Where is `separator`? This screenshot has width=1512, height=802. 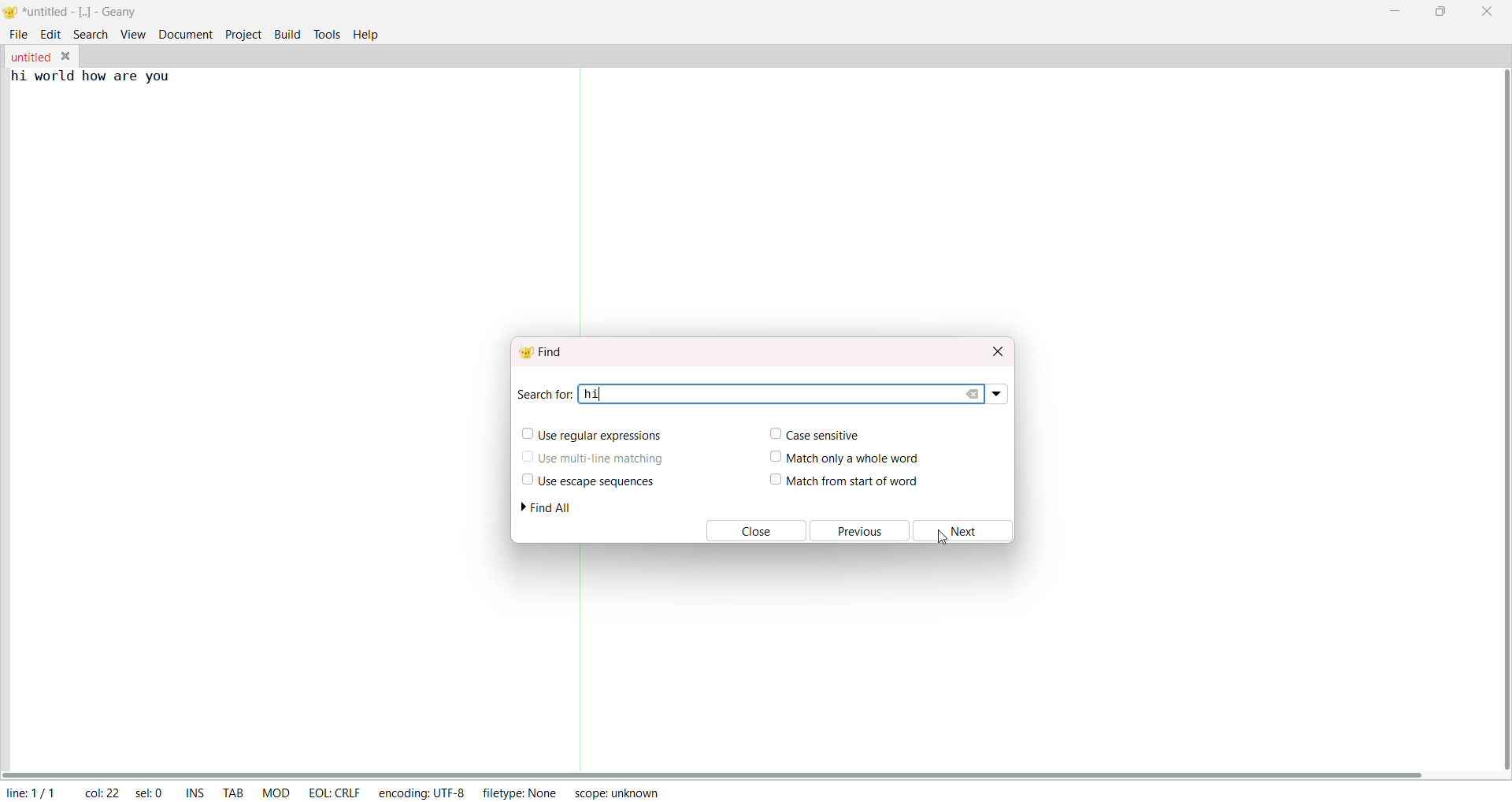 separator is located at coordinates (584, 655).